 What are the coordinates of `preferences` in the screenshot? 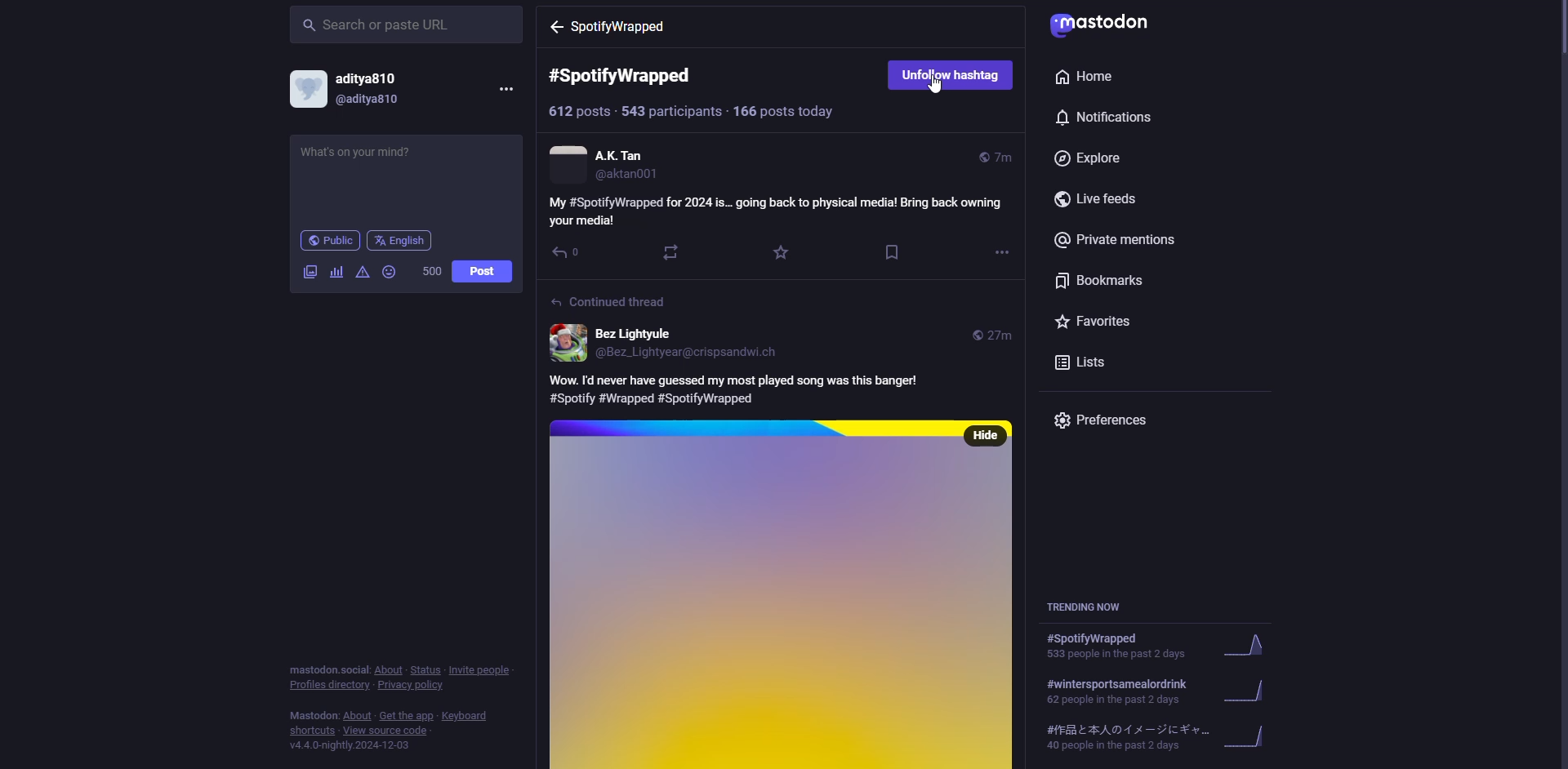 It's located at (1108, 420).